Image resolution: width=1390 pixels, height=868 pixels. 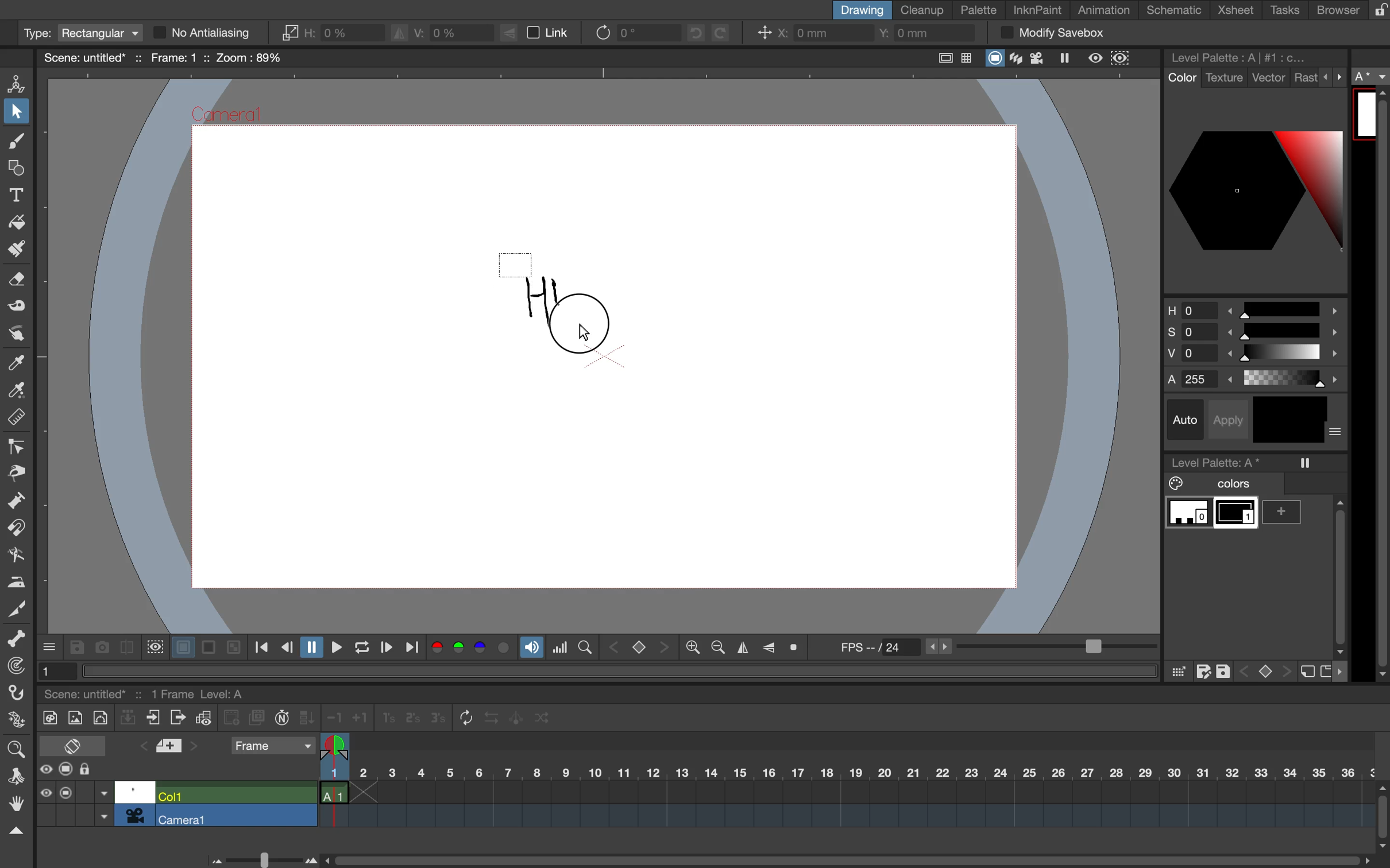 I want to click on random, so click(x=543, y=720).